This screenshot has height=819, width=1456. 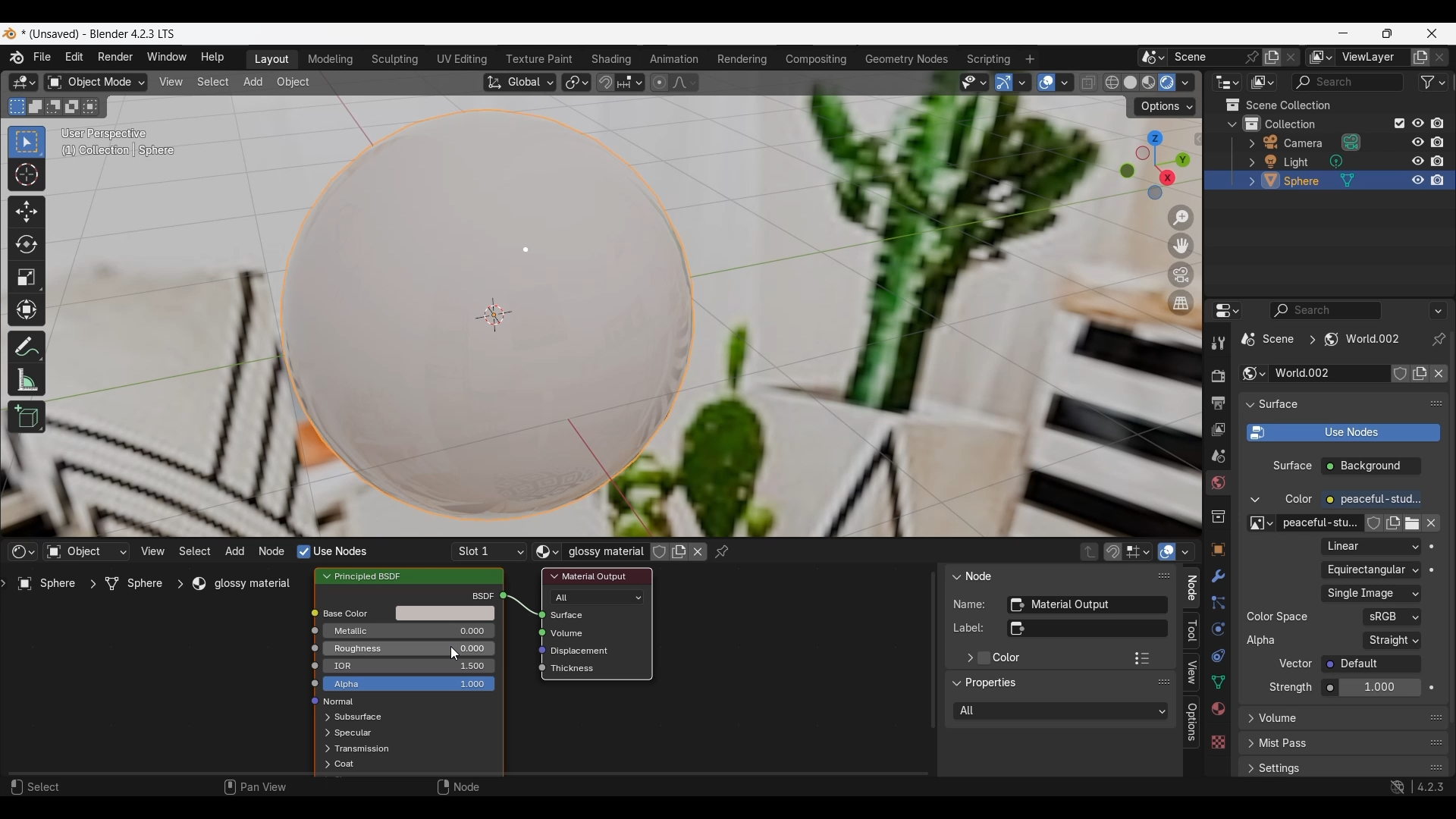 What do you see at coordinates (1437, 742) in the screenshot?
I see `Float mist pass` at bounding box center [1437, 742].